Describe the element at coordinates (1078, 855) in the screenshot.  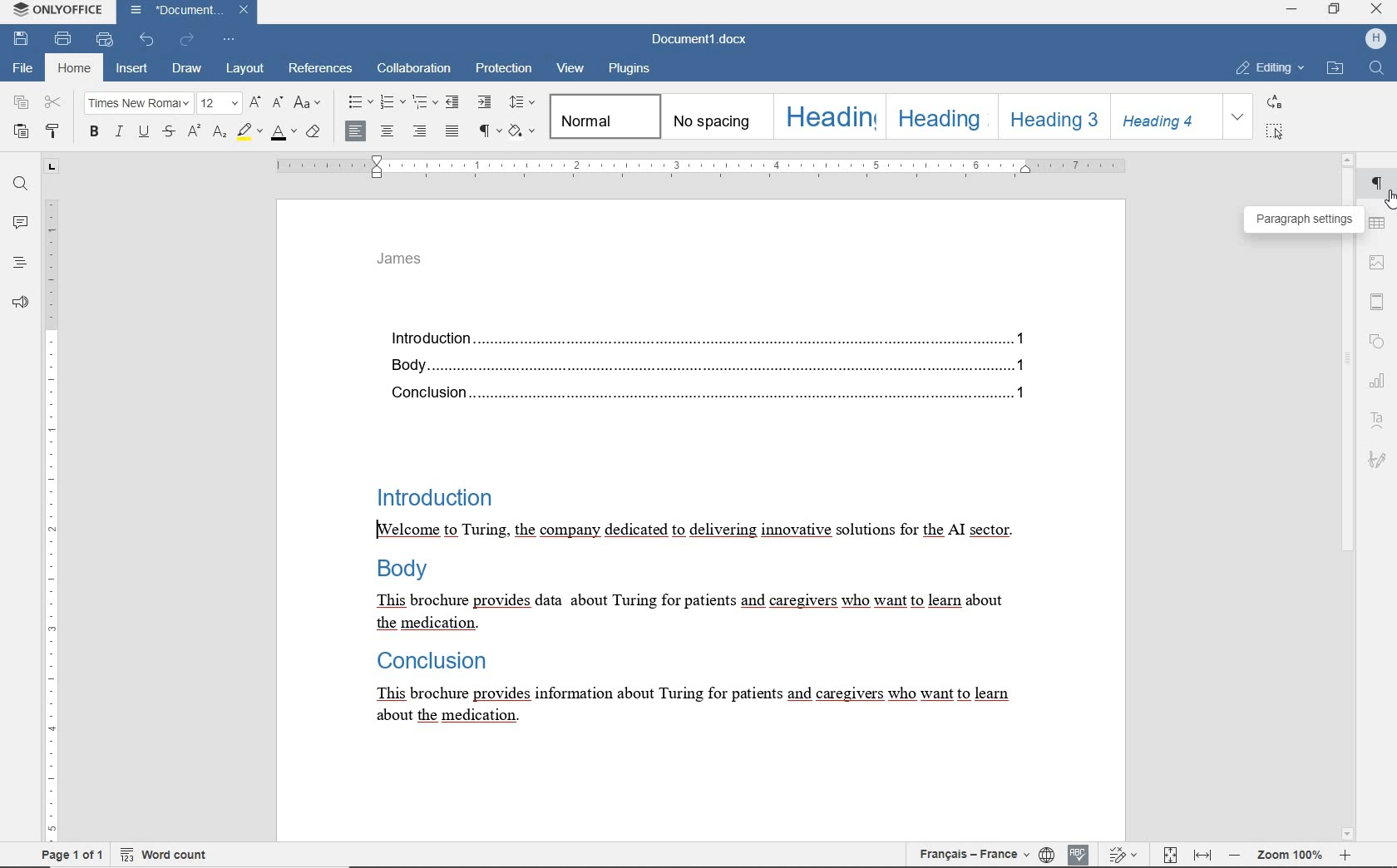
I see `spell checking` at that location.